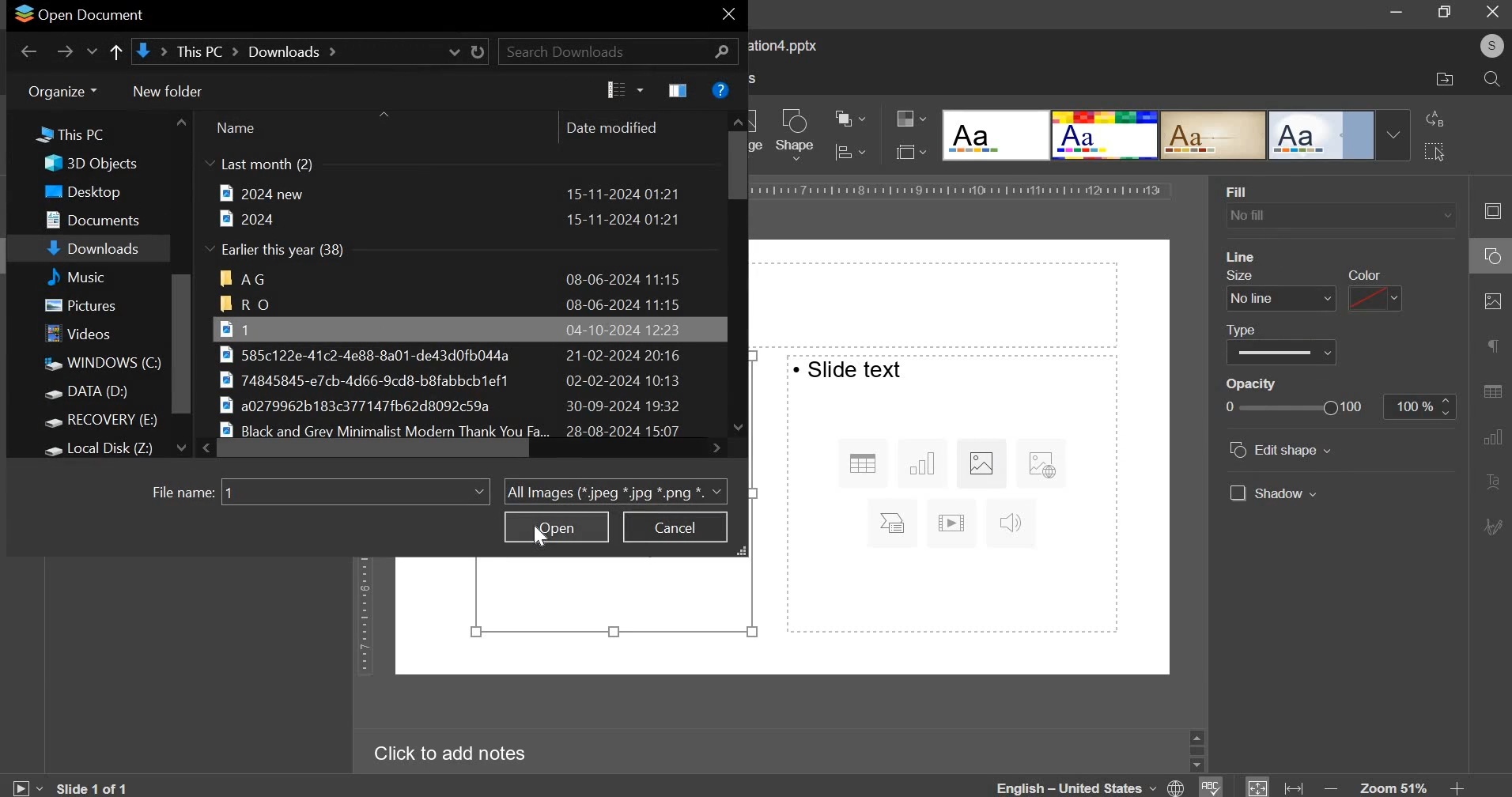 The height and width of the screenshot is (797, 1512). Describe the element at coordinates (452, 328) in the screenshot. I see `image file` at that location.